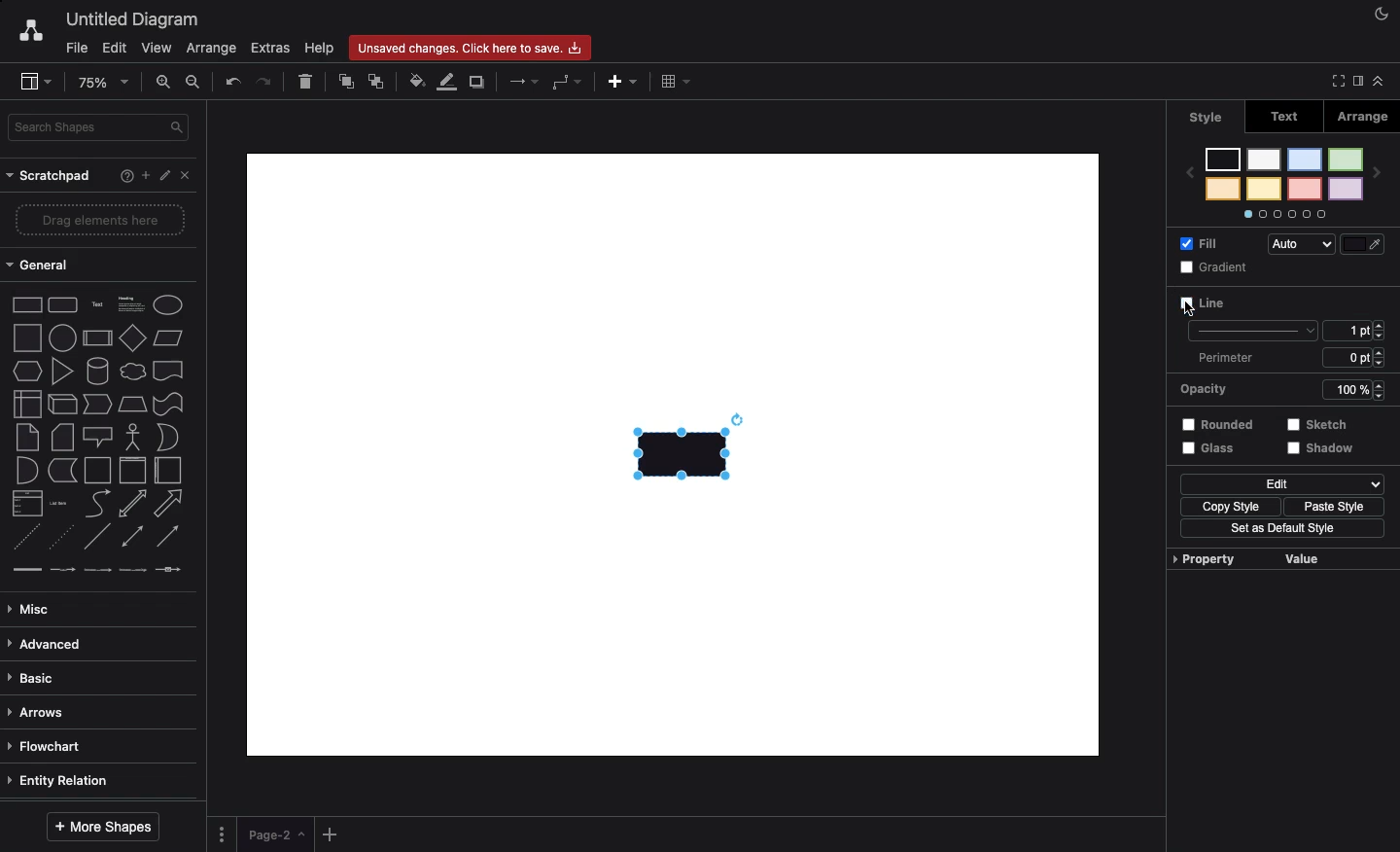  Describe the element at coordinates (1302, 243) in the screenshot. I see `Auto` at that location.